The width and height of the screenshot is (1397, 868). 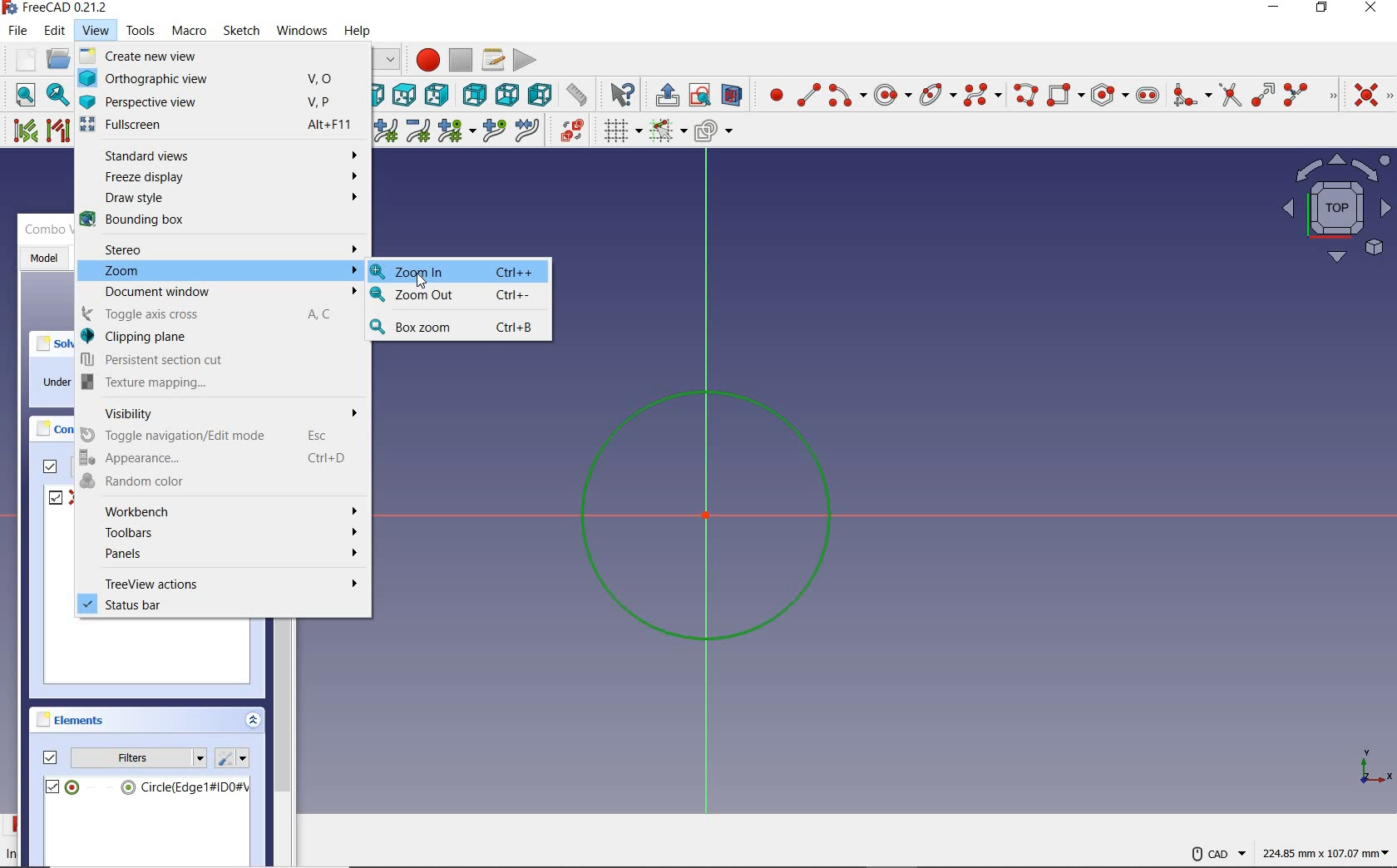 I want to click on stop macro recording, so click(x=461, y=59).